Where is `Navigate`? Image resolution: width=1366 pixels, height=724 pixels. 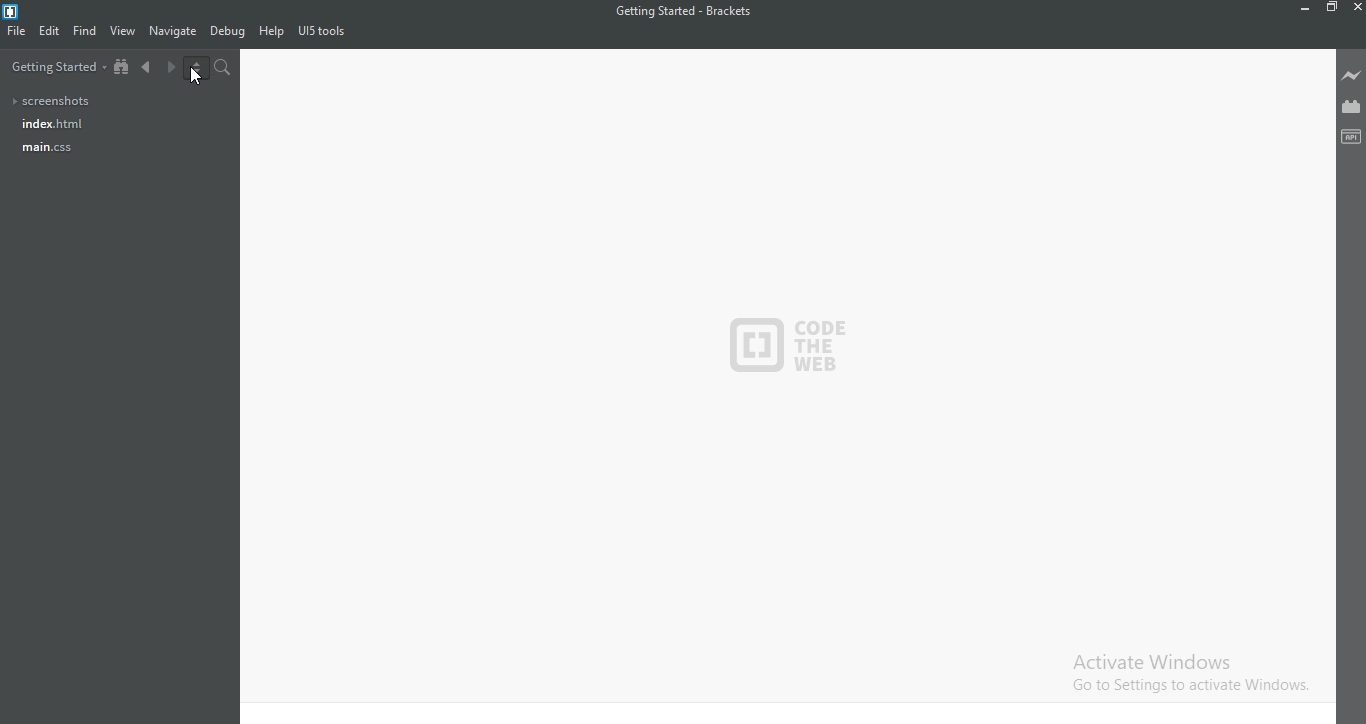
Navigate is located at coordinates (174, 30).